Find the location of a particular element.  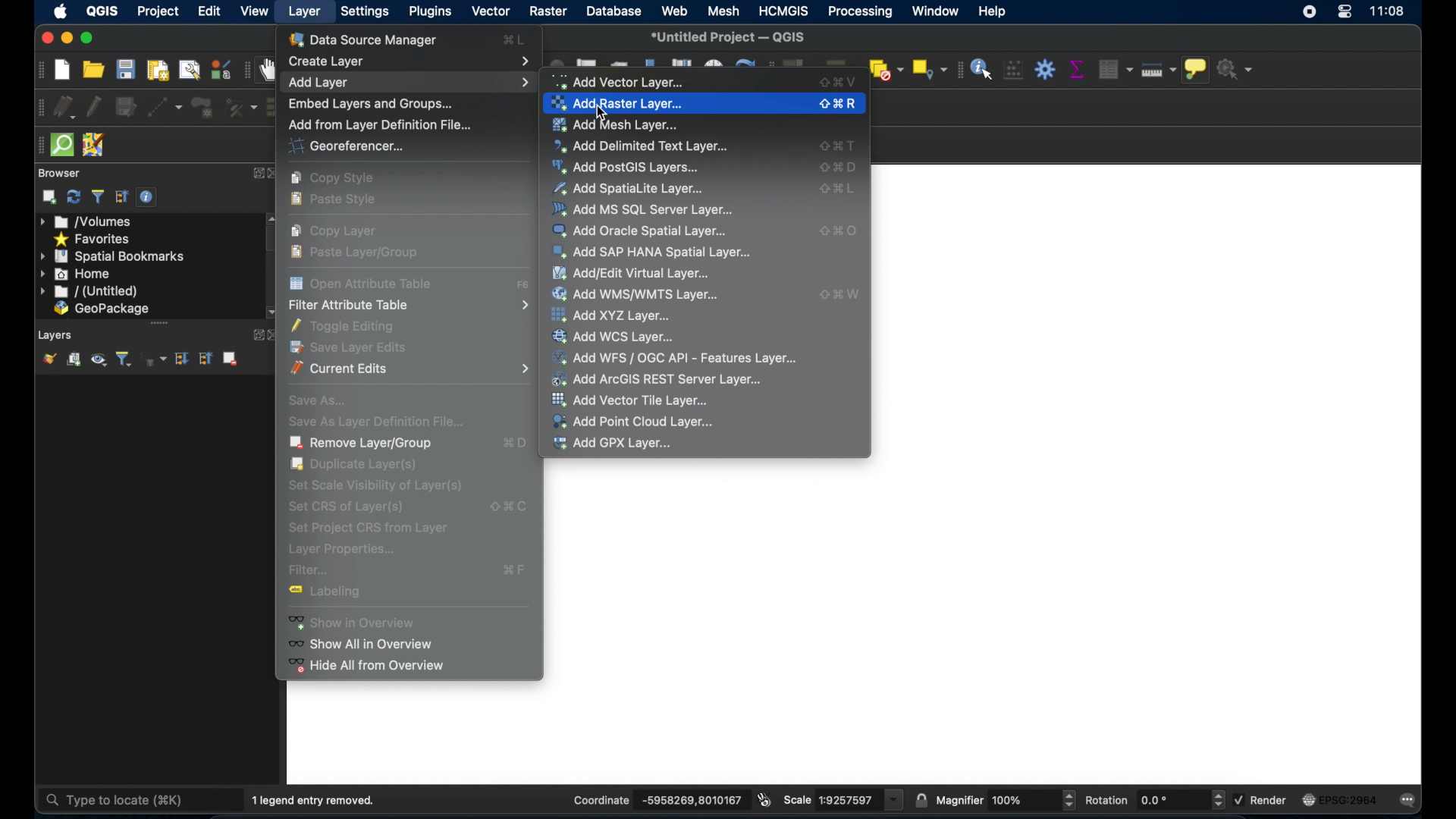

current edits is located at coordinates (64, 107).